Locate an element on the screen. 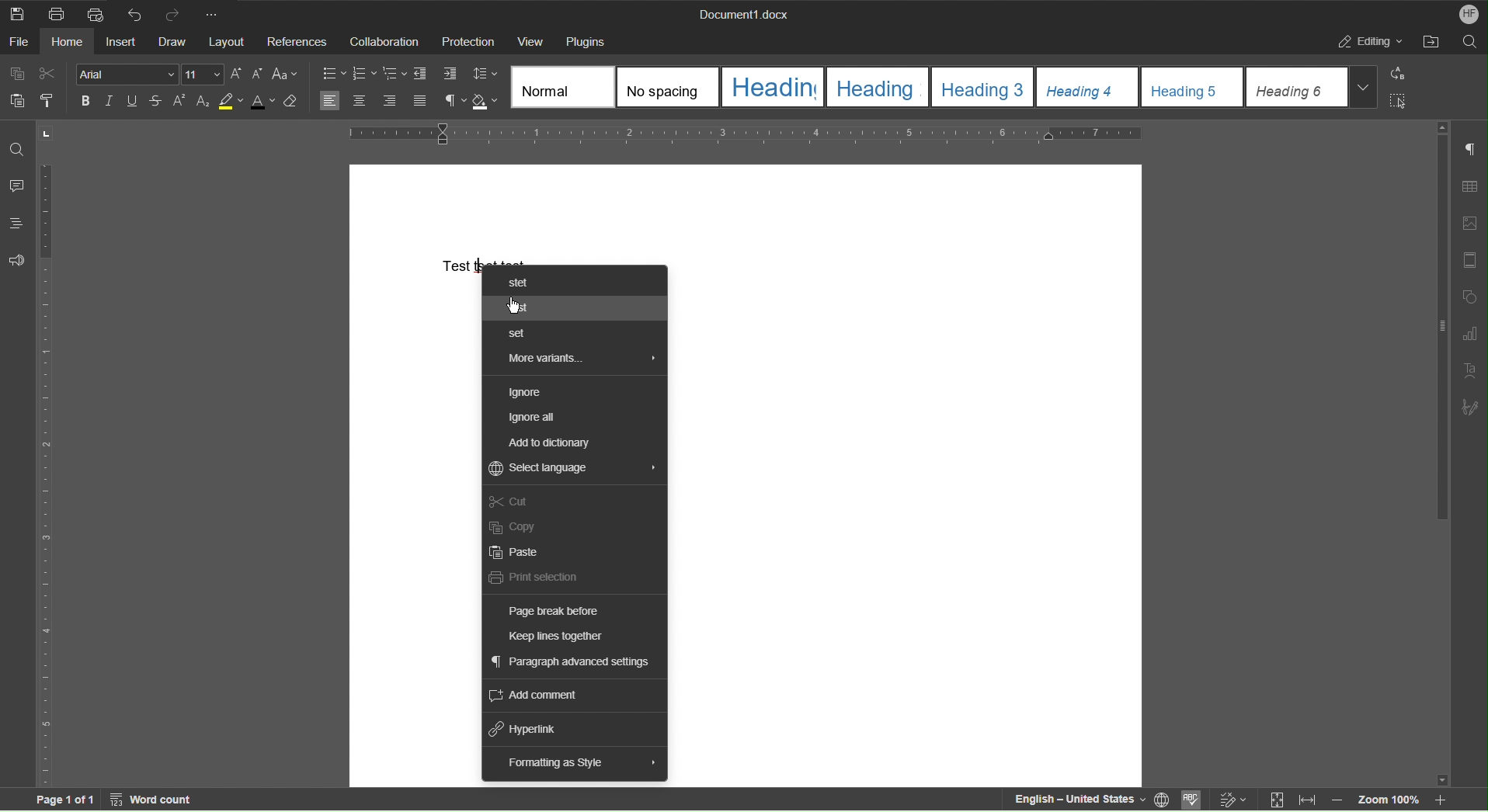 The width and height of the screenshot is (1488, 812). Heading 1 is located at coordinates (772, 87).